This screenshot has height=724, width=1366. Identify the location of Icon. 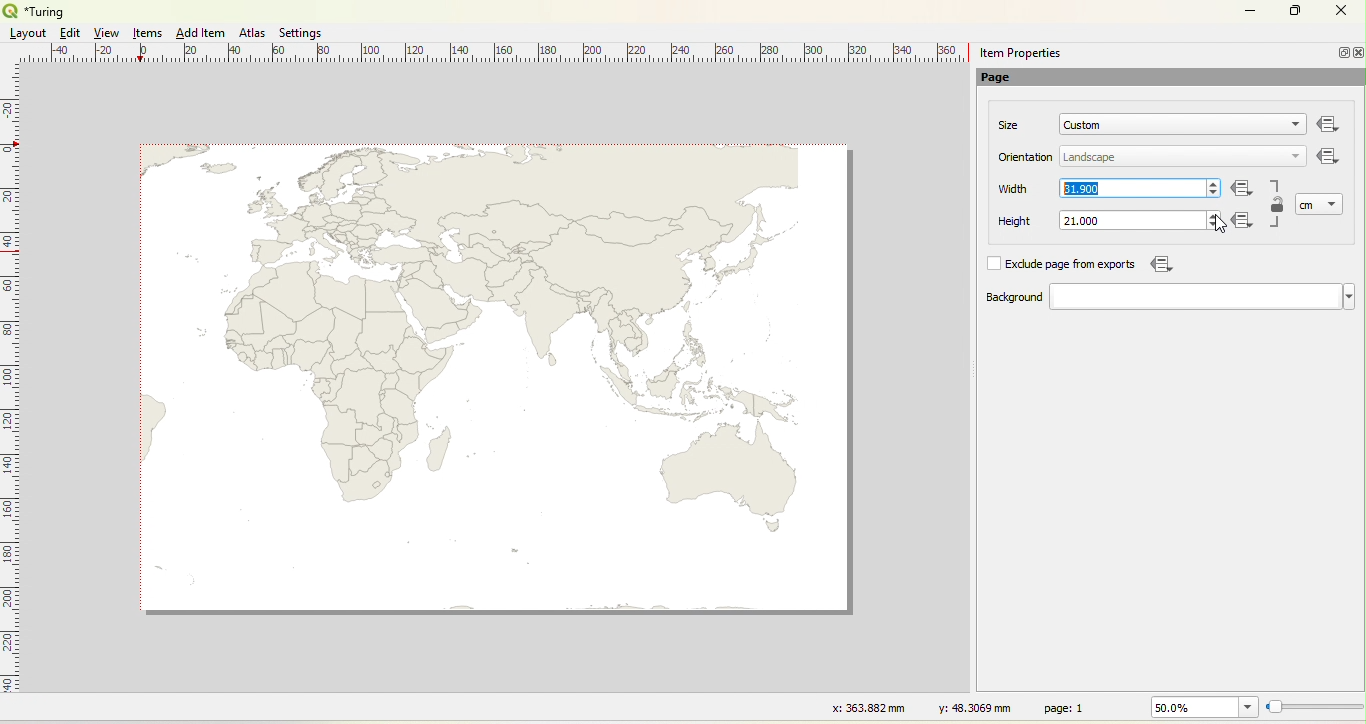
(1243, 190).